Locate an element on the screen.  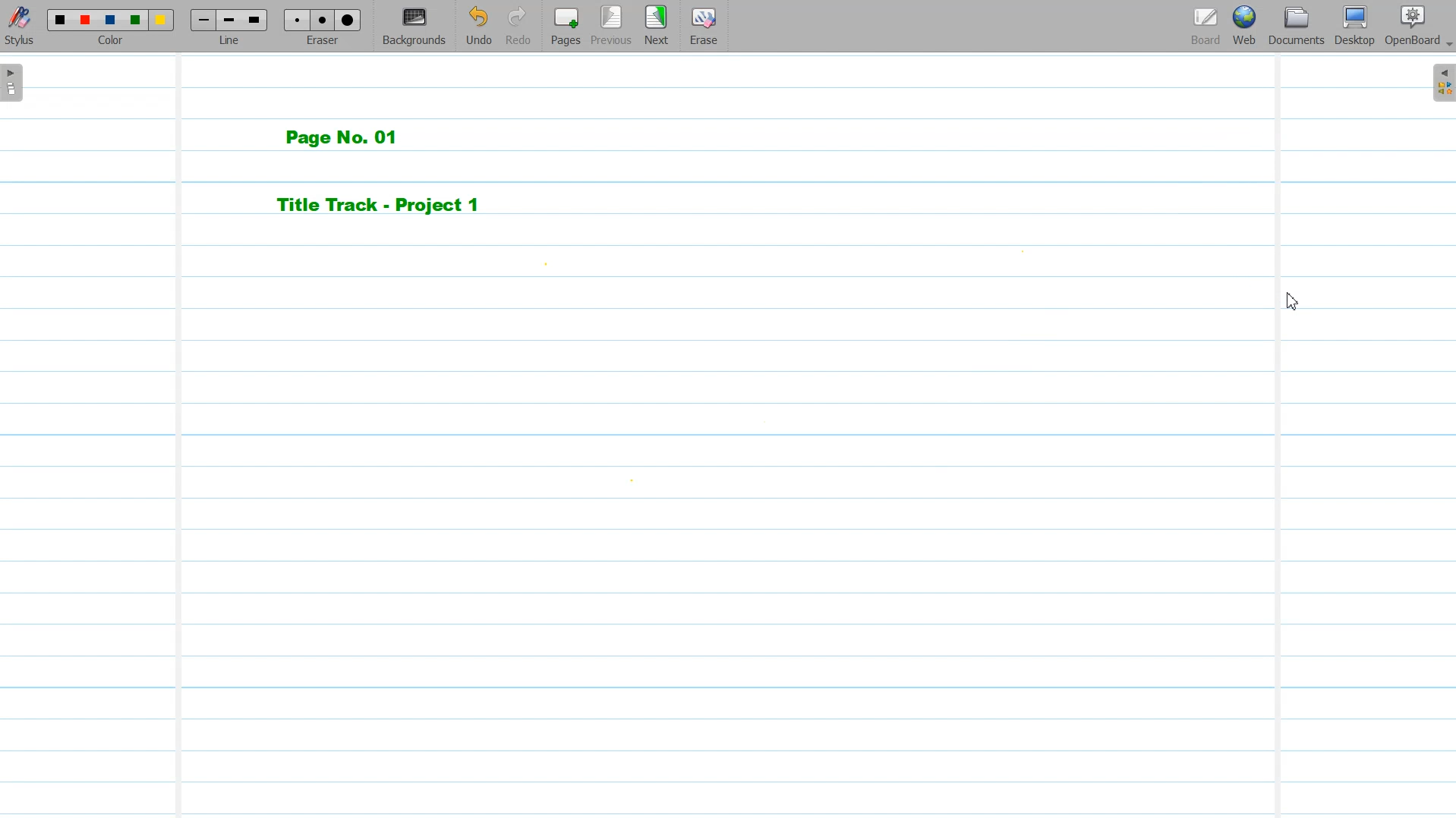
Erase is located at coordinates (703, 25).